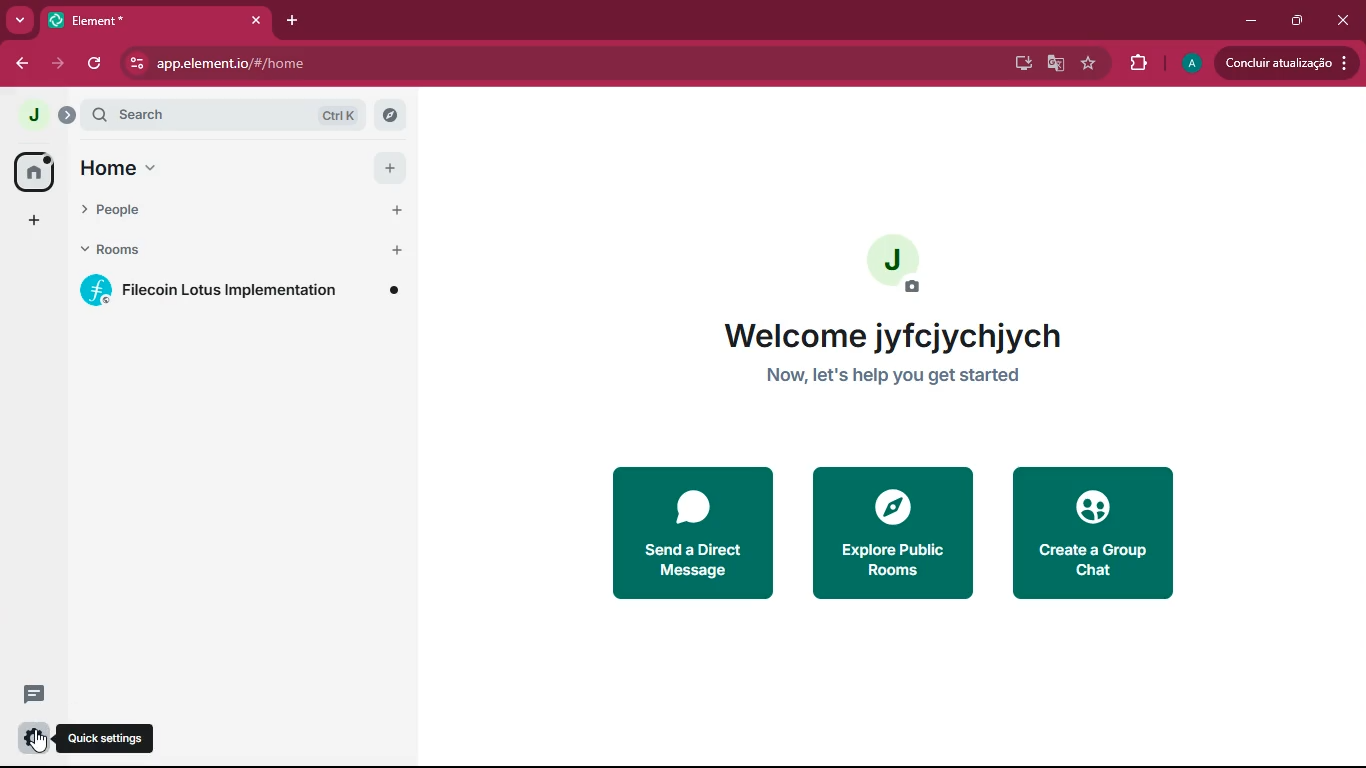  I want to click on profile picture, so click(900, 263).